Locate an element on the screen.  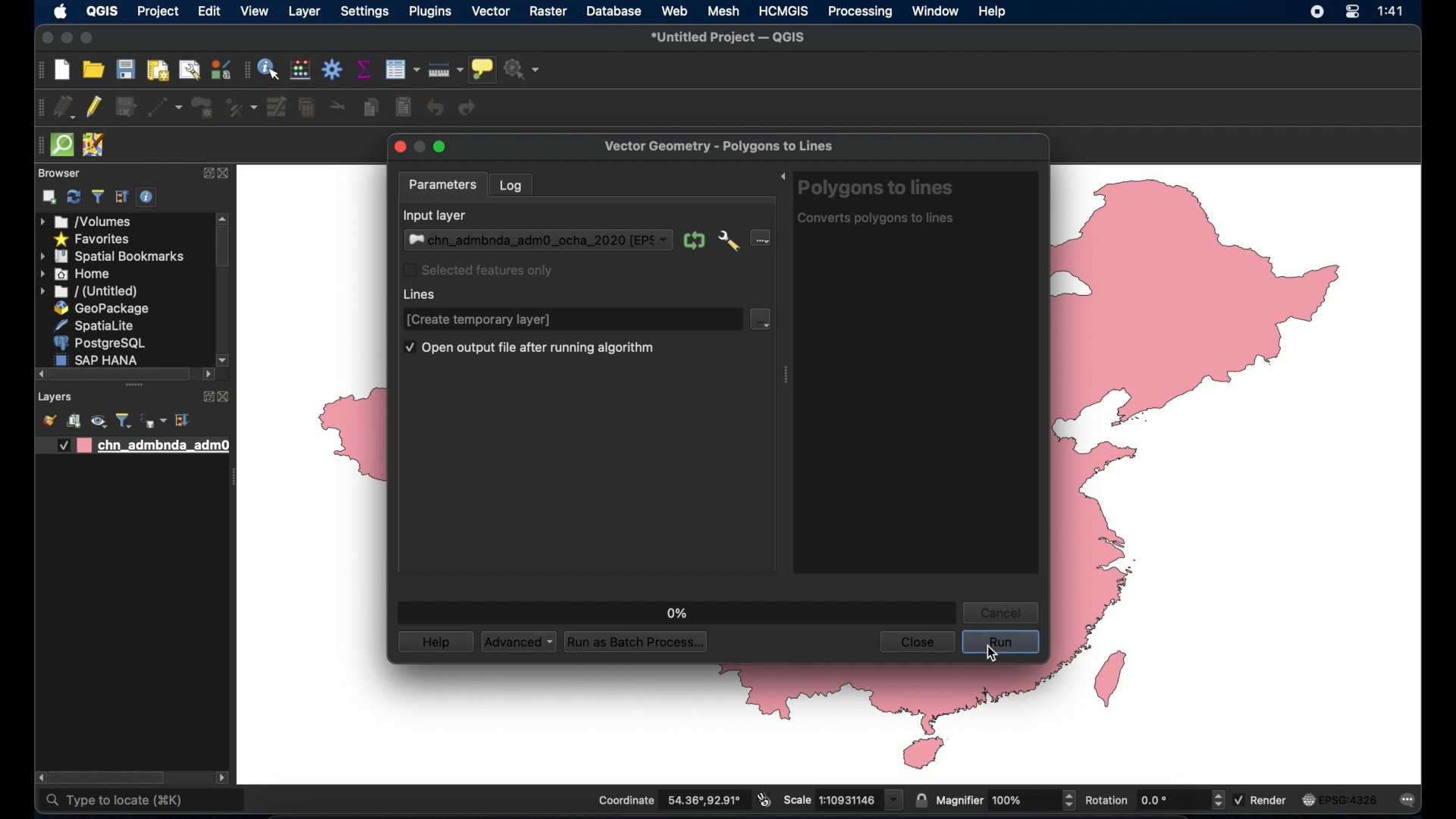
parameters is located at coordinates (441, 184).